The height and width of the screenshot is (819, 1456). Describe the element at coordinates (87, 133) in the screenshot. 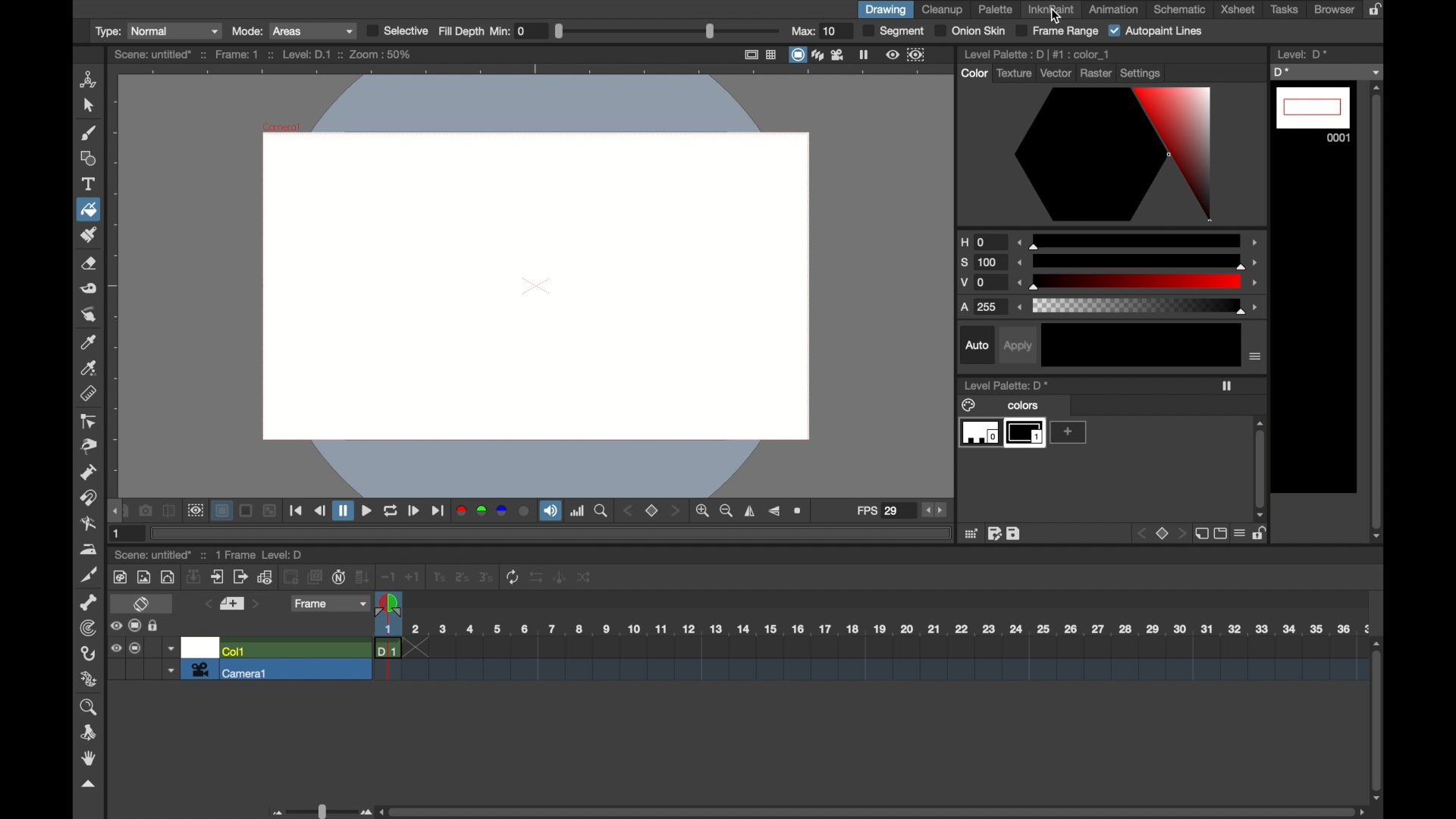

I see `paint brush tool` at that location.